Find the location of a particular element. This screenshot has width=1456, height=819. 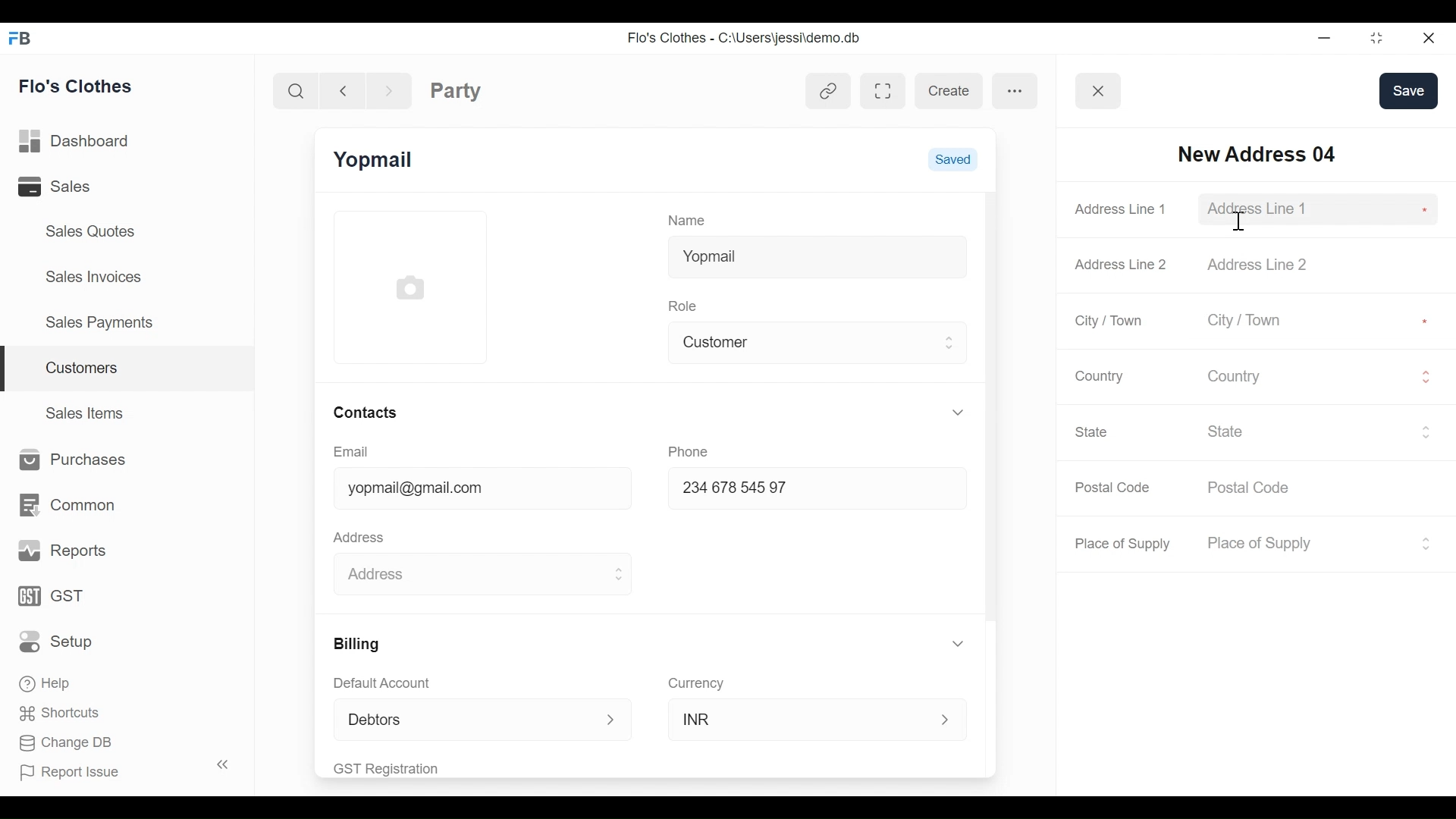

Country is located at coordinates (1307, 375).